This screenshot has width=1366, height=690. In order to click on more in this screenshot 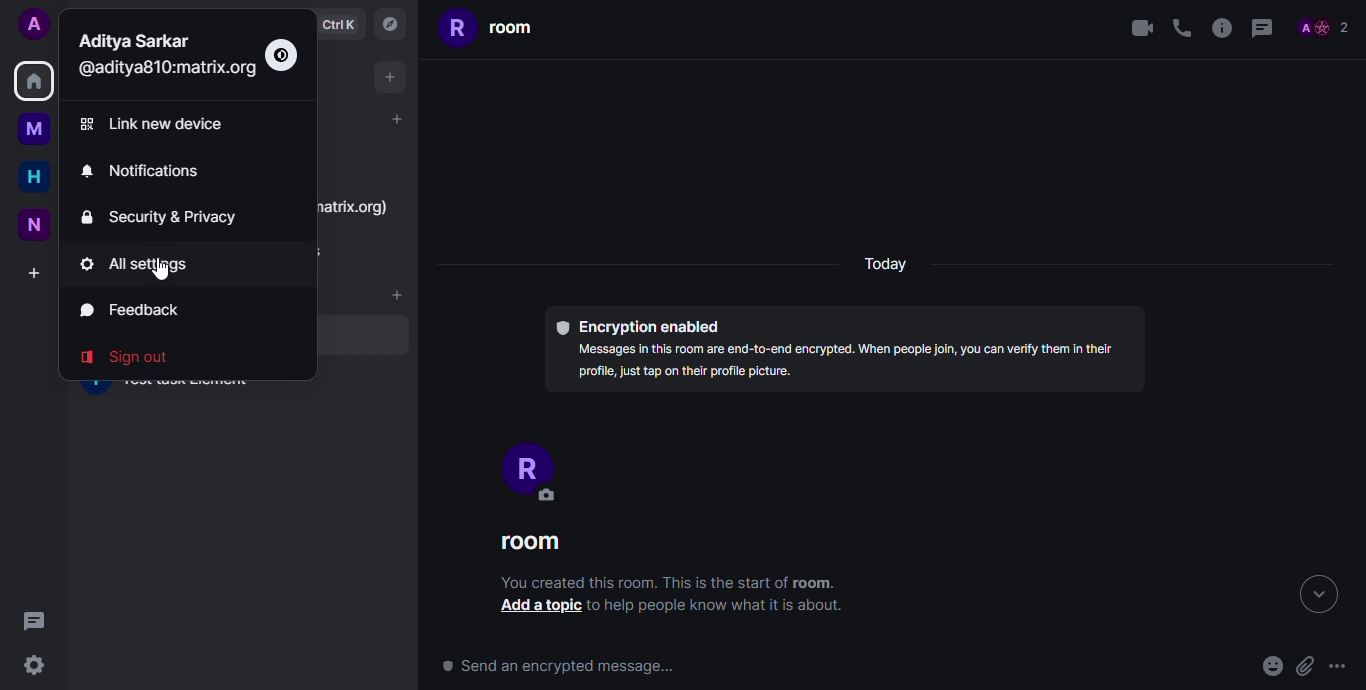, I will do `click(1338, 667)`.